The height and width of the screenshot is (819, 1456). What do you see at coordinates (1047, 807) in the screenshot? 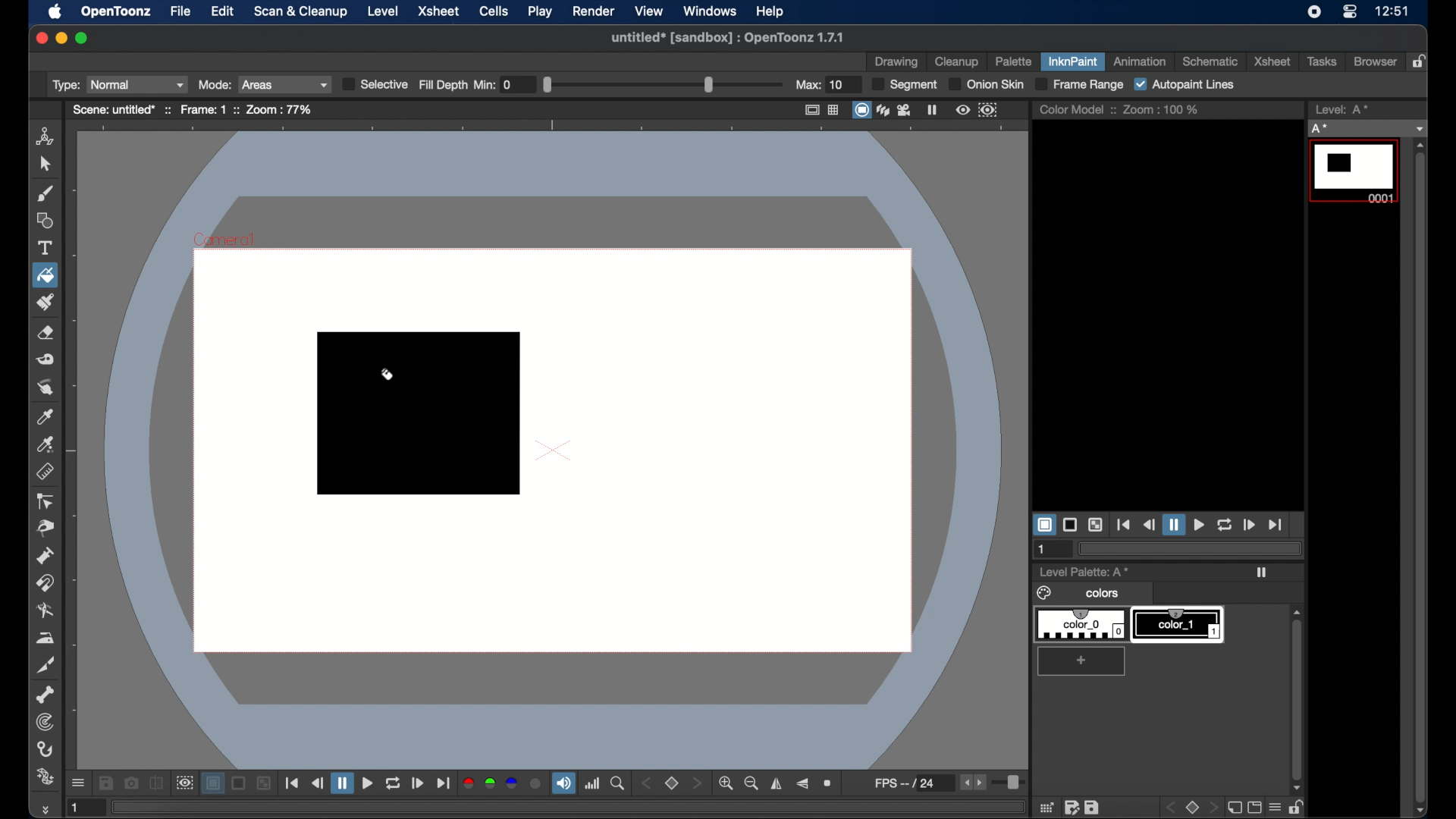
I see `grid` at bounding box center [1047, 807].